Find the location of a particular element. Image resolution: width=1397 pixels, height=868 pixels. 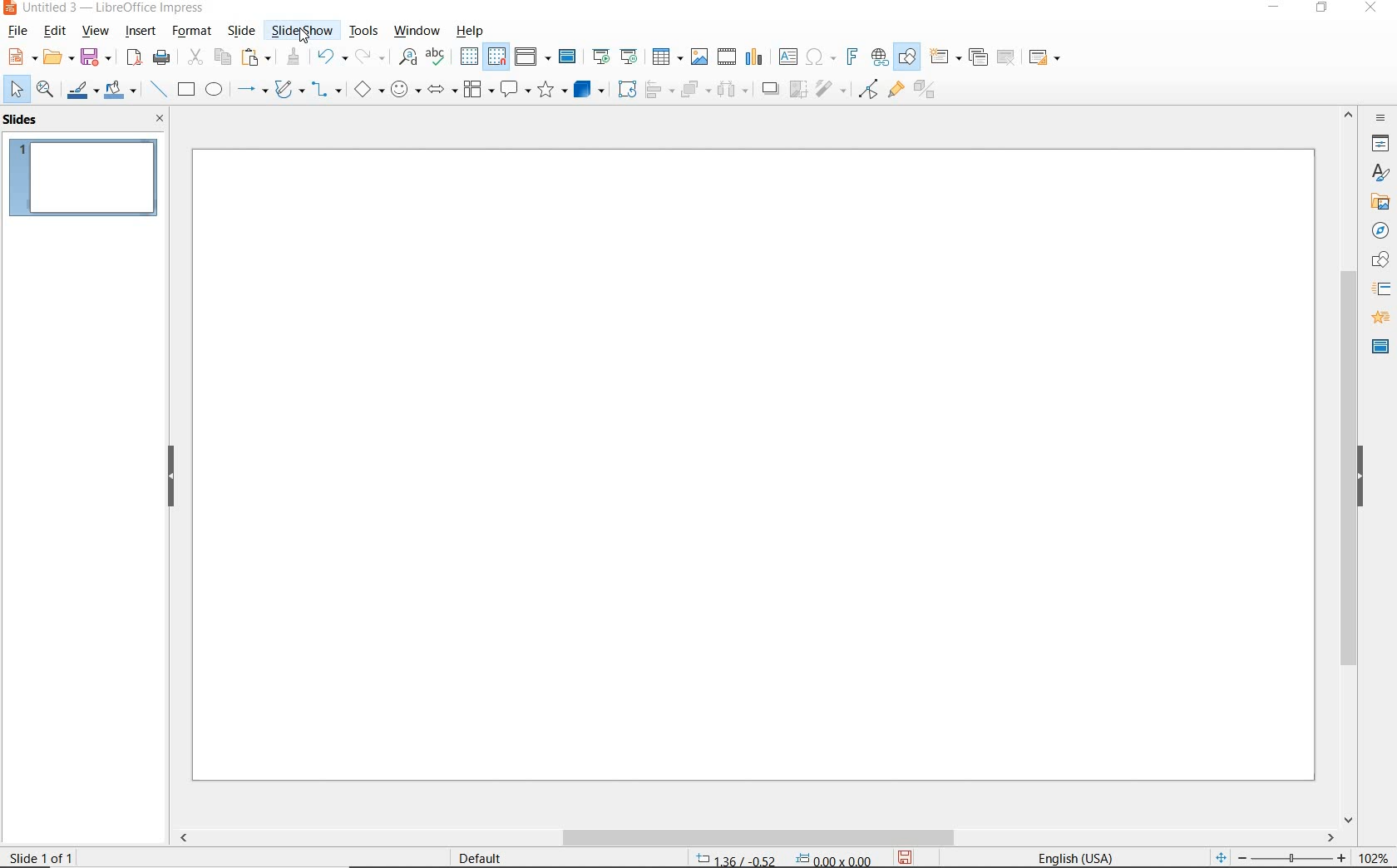

INSERT TEXT BOX is located at coordinates (789, 57).